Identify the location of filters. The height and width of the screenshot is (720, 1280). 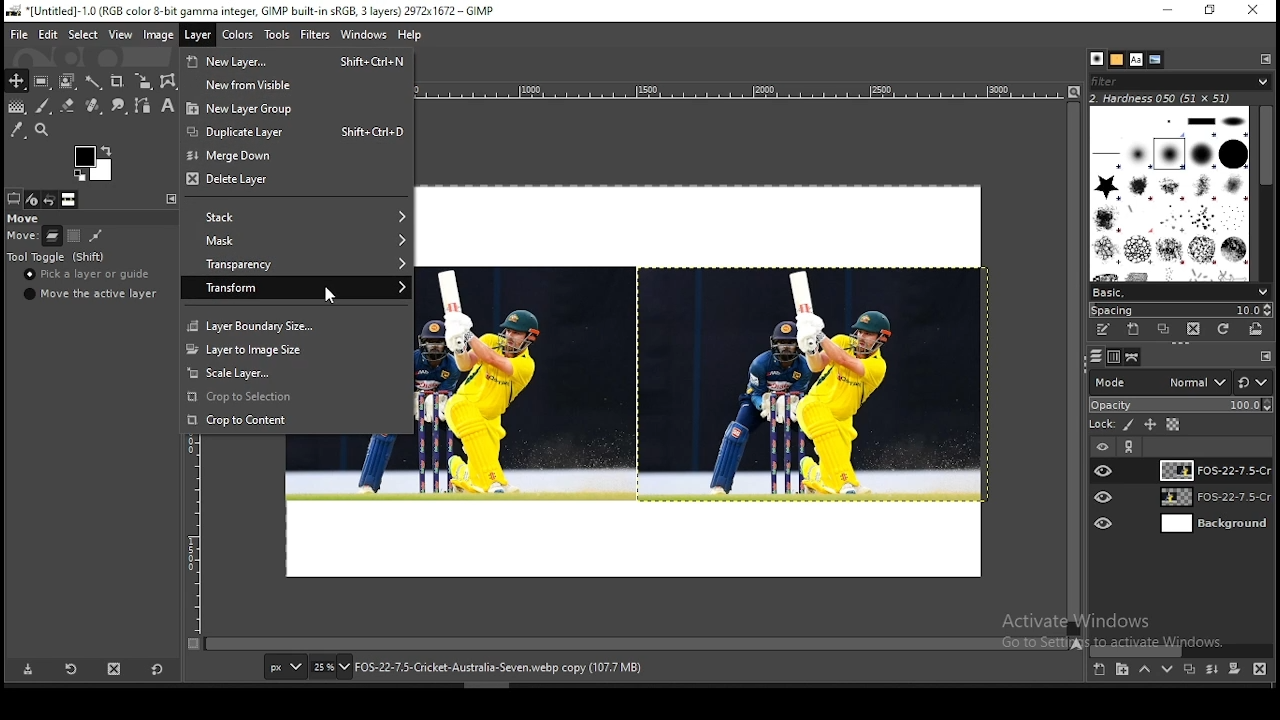
(316, 35).